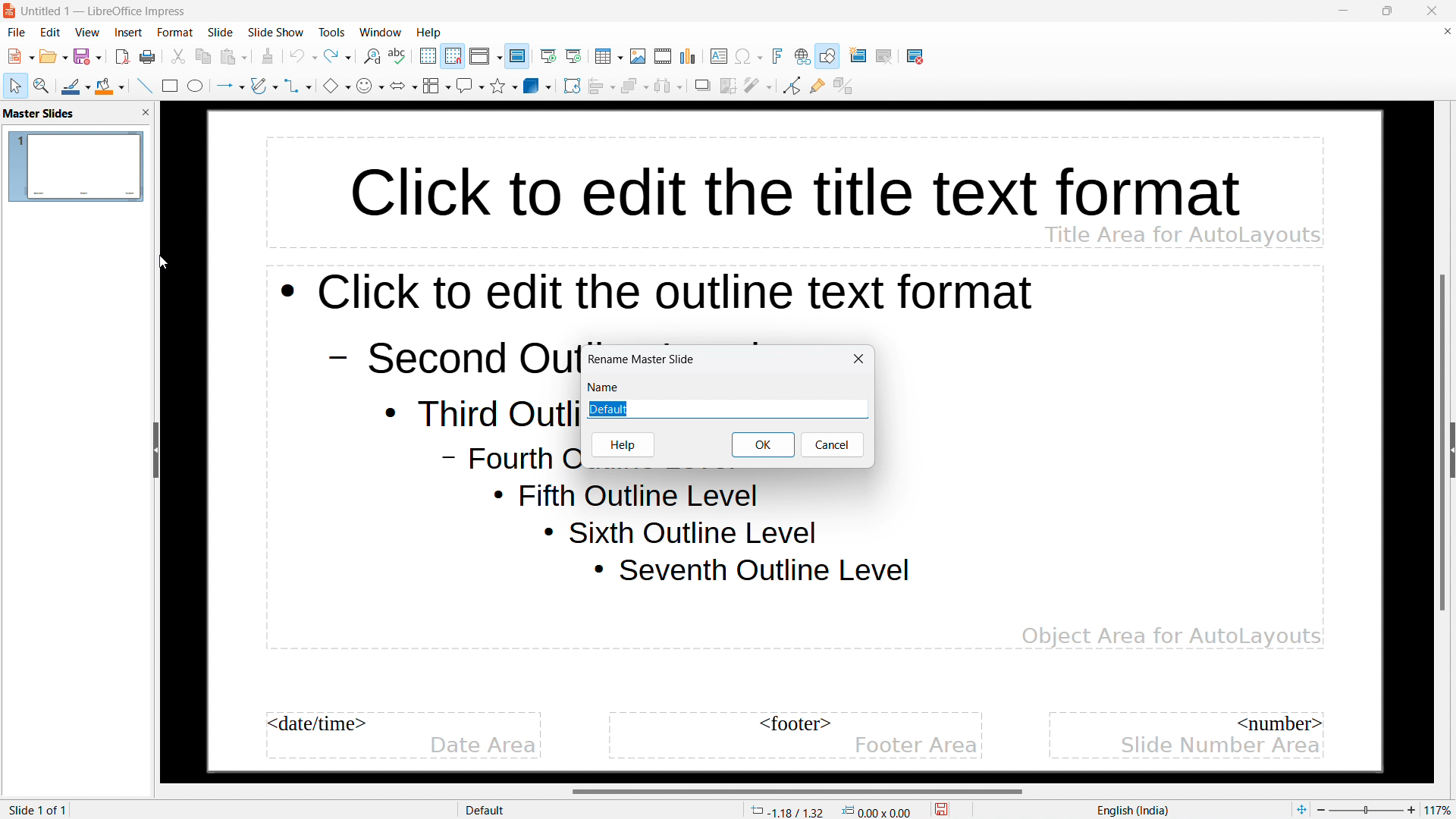  Describe the element at coordinates (403, 85) in the screenshot. I see `block arrows` at that location.